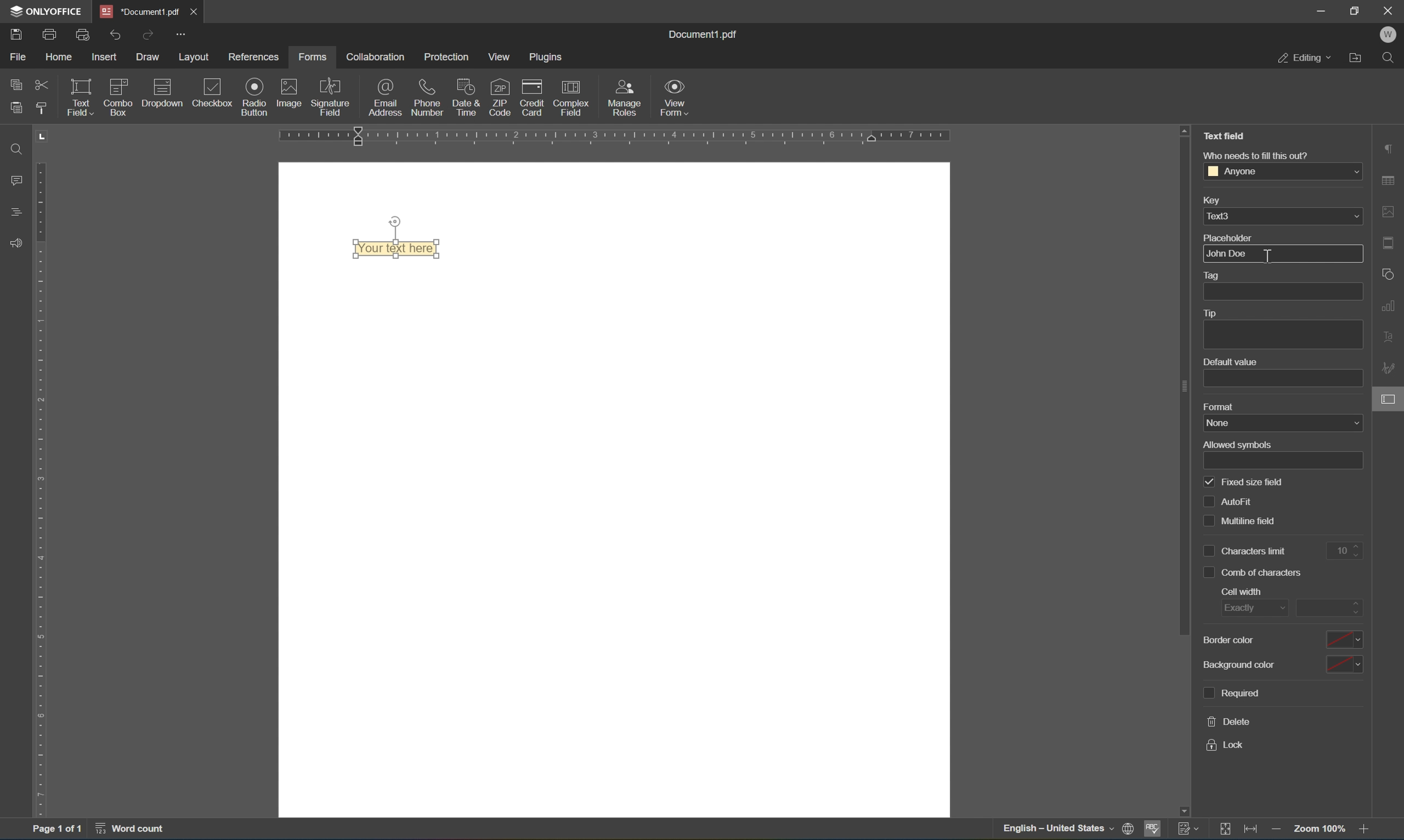 Image resolution: width=1404 pixels, height=840 pixels. What do you see at coordinates (1217, 313) in the screenshot?
I see `tip` at bounding box center [1217, 313].